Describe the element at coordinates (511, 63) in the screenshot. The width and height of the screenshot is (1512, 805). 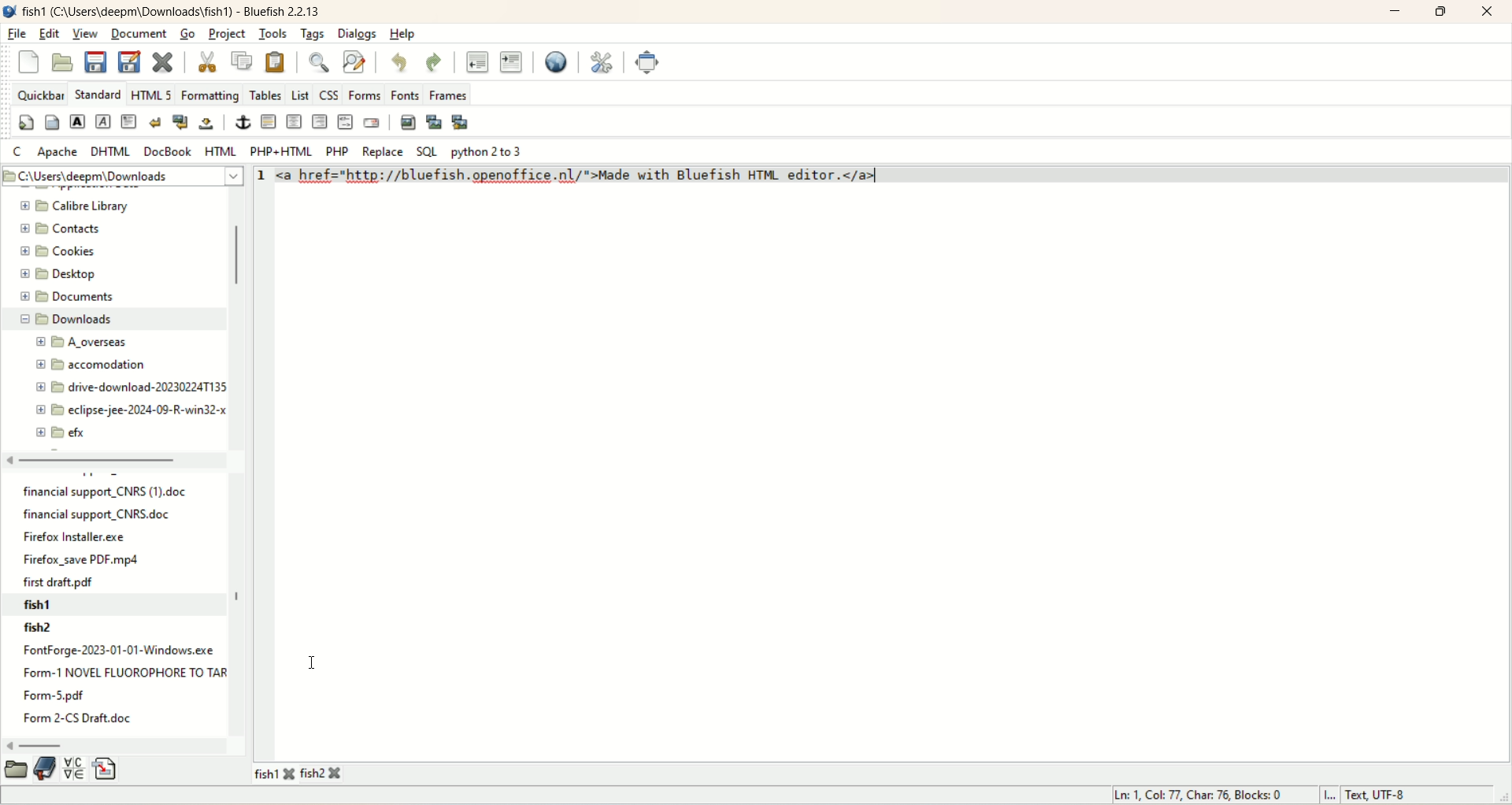
I see `indent` at that location.